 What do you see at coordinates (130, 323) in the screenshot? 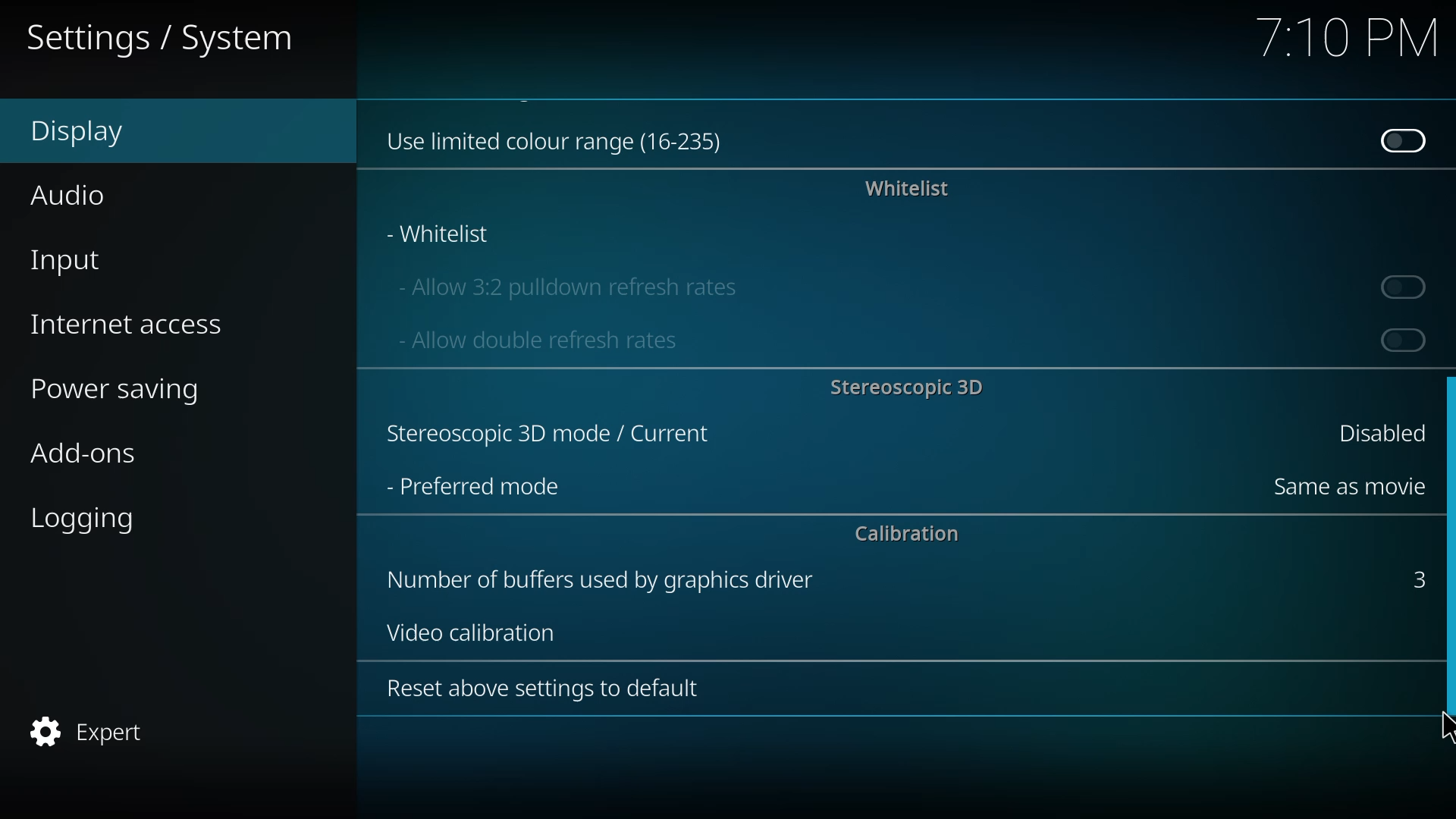
I see `internet access` at bounding box center [130, 323].